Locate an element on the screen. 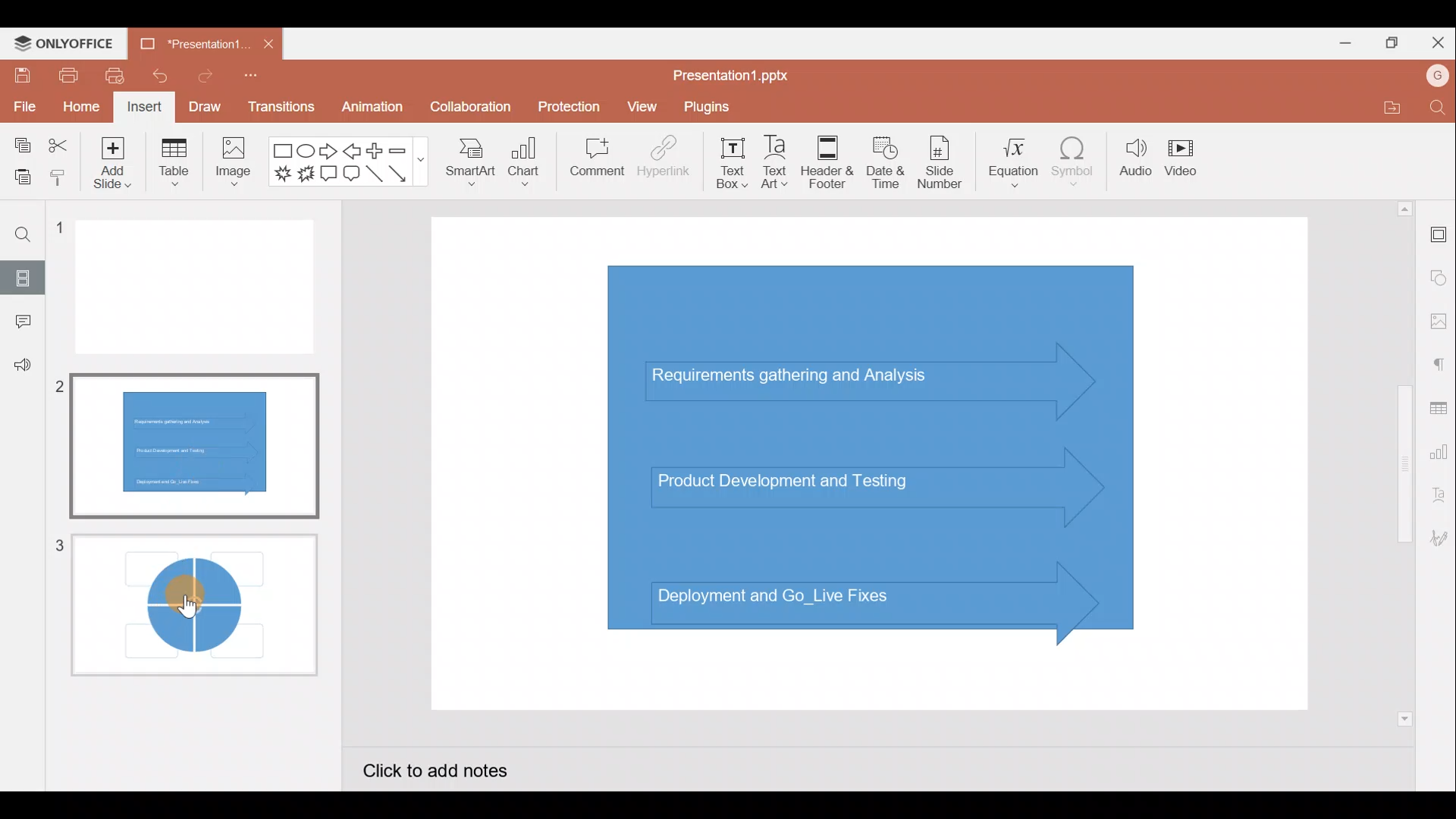 The width and height of the screenshot is (1456, 819). File is located at coordinates (23, 106).